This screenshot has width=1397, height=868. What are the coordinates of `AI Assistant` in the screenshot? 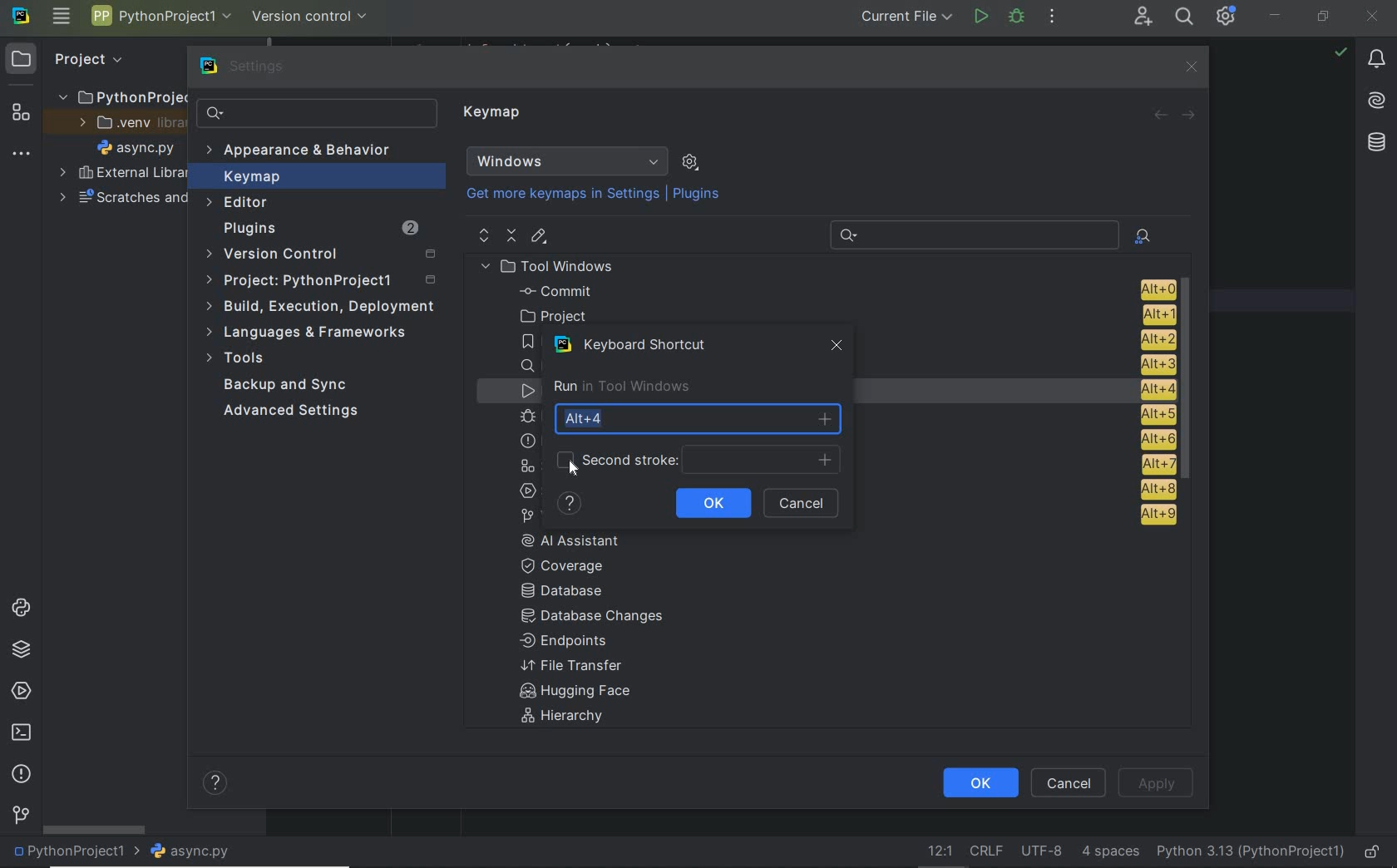 It's located at (582, 540).